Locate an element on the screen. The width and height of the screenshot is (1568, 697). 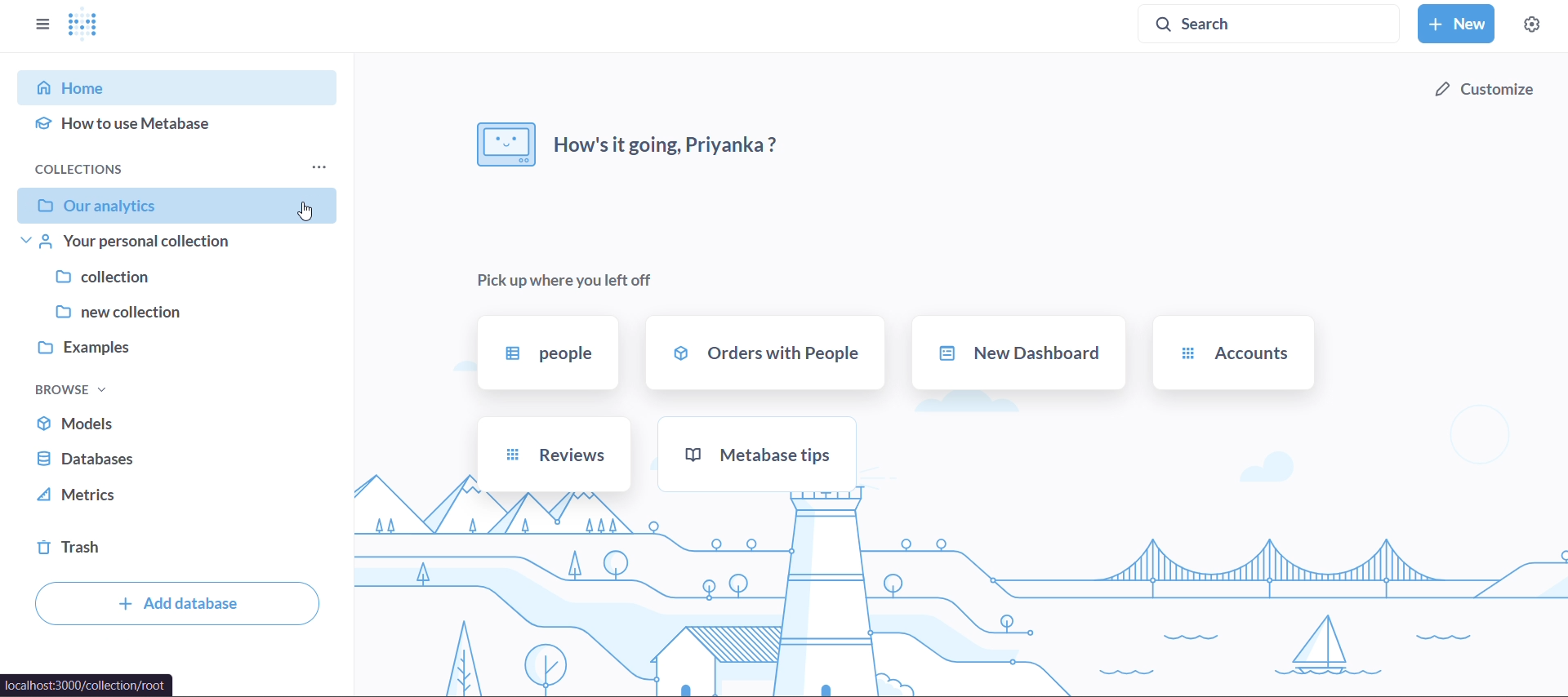
home is located at coordinates (167, 85).